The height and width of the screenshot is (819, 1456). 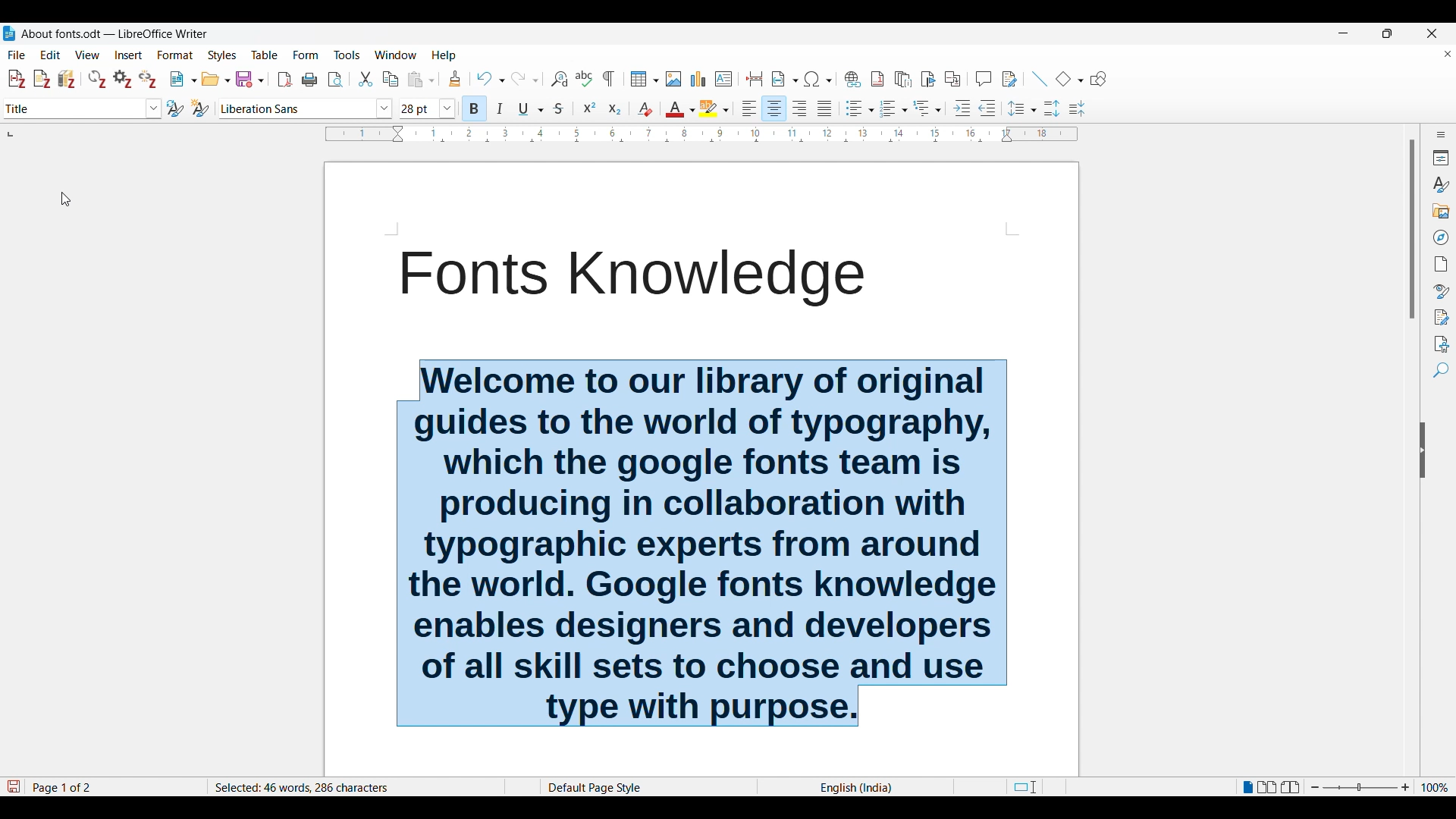 What do you see at coordinates (42, 80) in the screenshot?
I see `Add note` at bounding box center [42, 80].